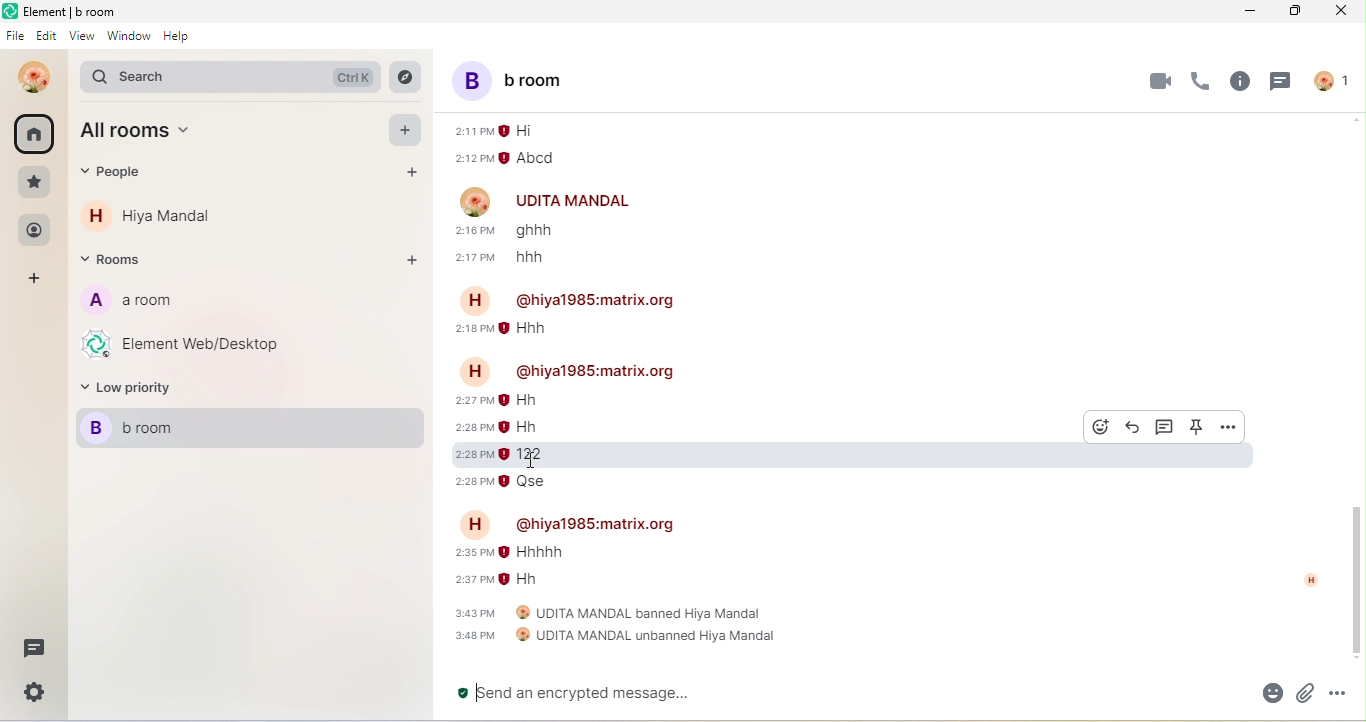 This screenshot has height=722, width=1366. Describe the element at coordinates (474, 300) in the screenshot. I see `H` at that location.